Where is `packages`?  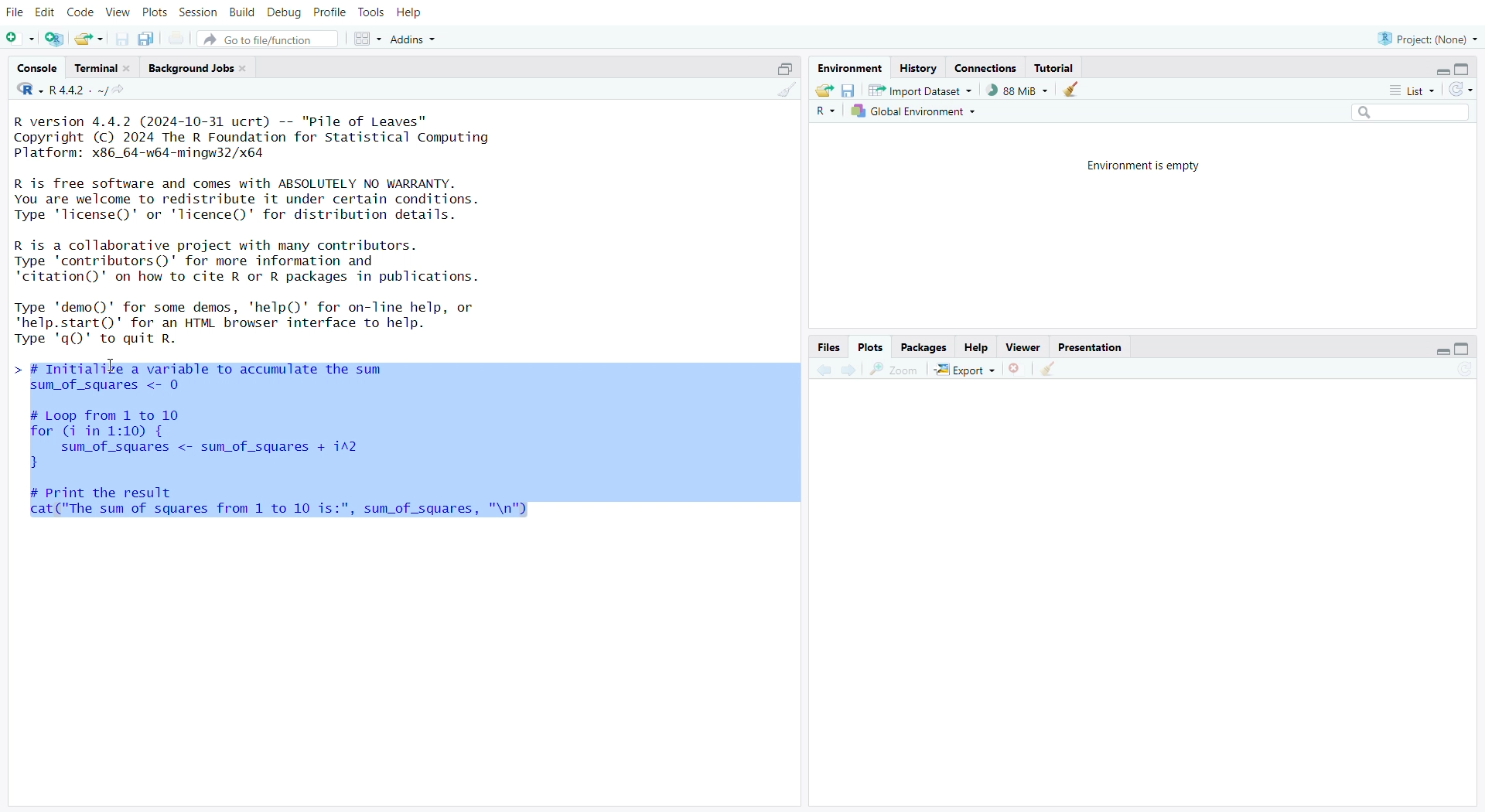
packages is located at coordinates (925, 346).